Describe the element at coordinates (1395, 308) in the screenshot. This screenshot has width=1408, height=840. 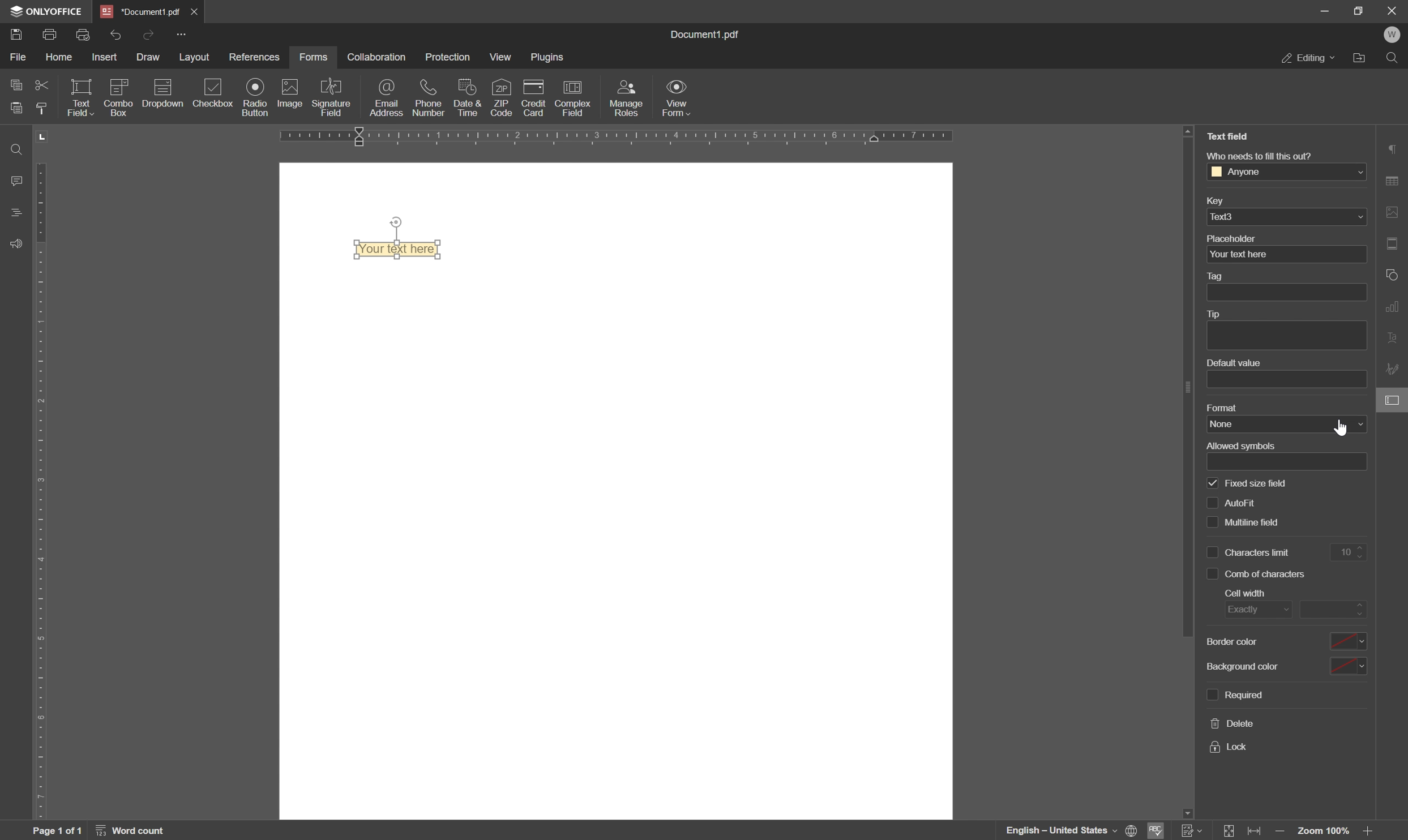
I see `chart settings` at that location.